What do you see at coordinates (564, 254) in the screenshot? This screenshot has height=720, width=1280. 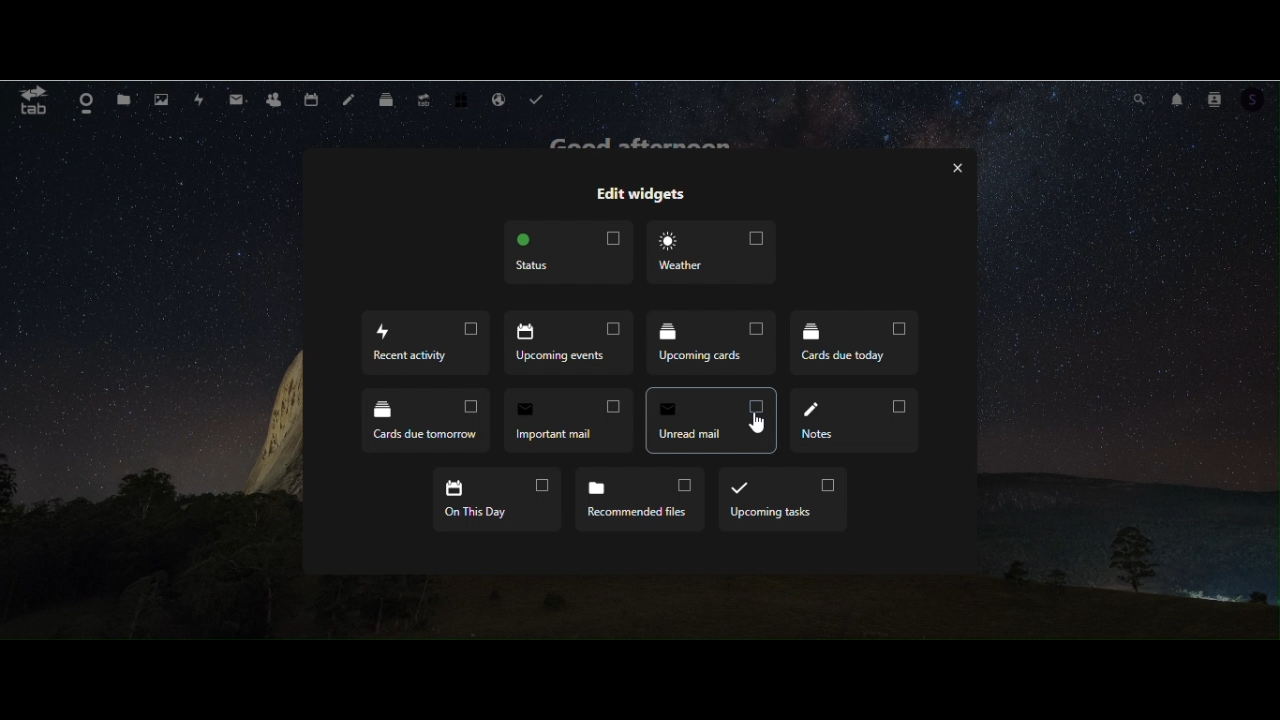 I see `Status` at bounding box center [564, 254].